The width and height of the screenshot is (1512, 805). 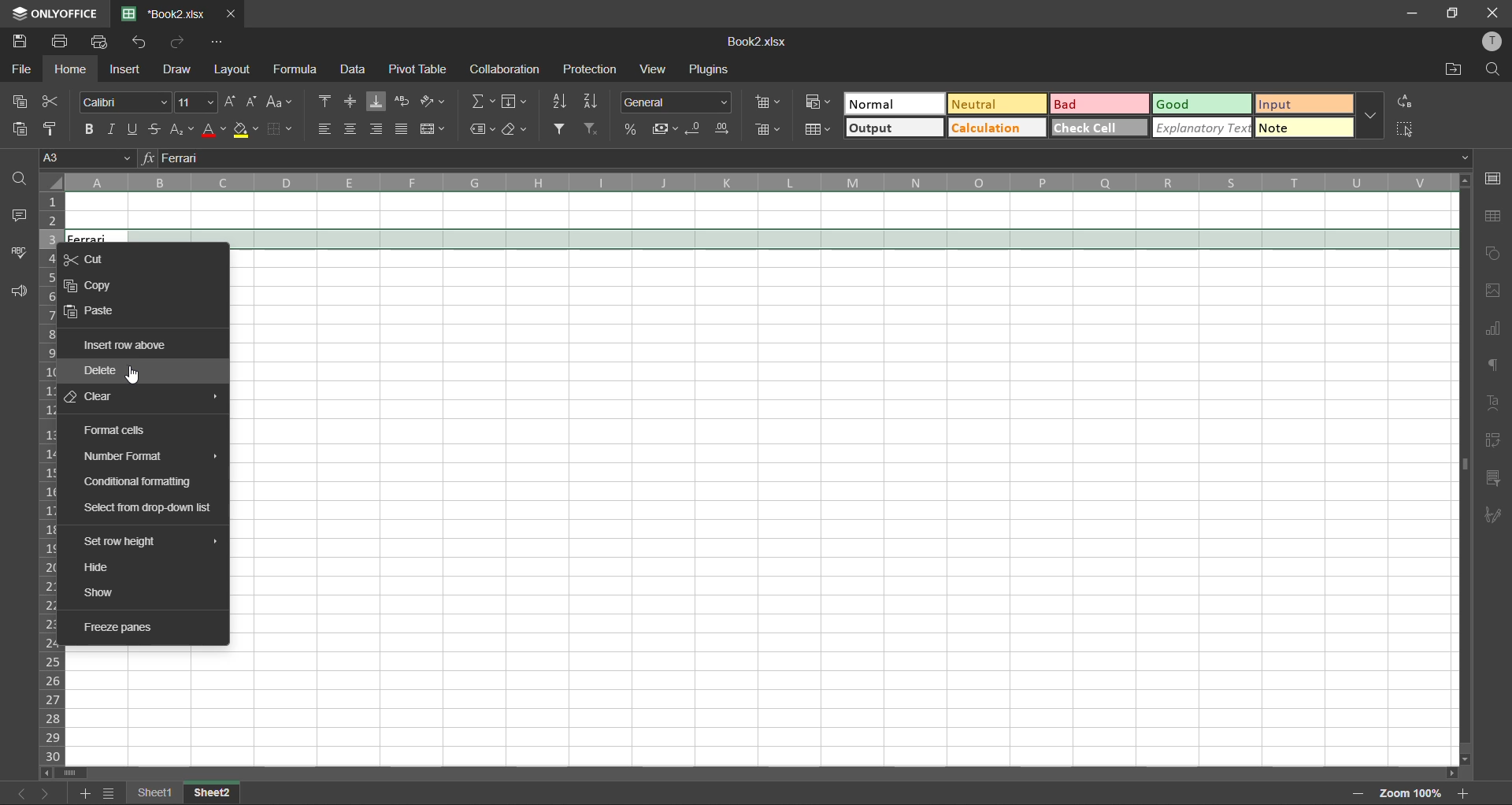 What do you see at coordinates (590, 131) in the screenshot?
I see `clear filter` at bounding box center [590, 131].